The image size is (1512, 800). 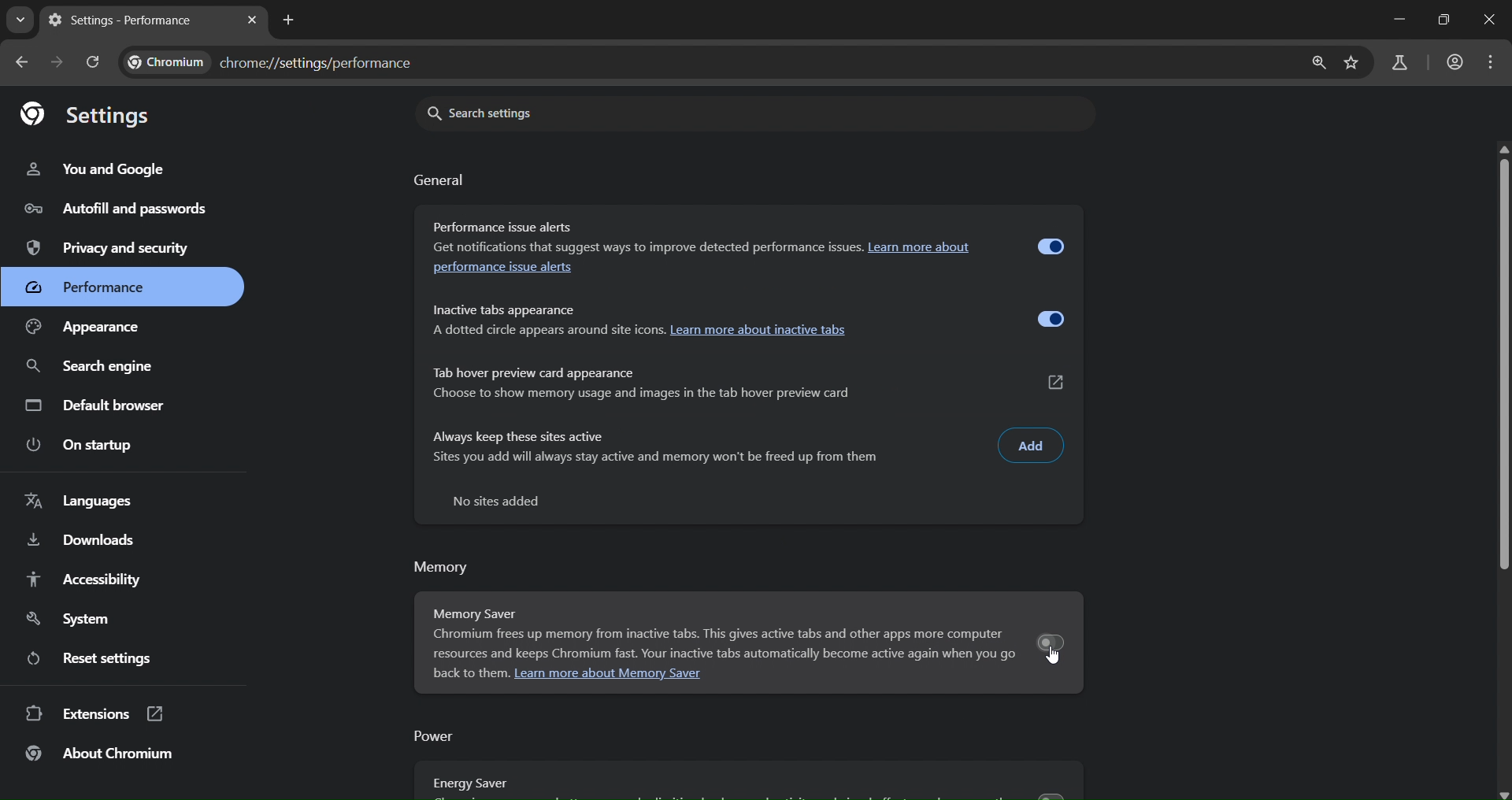 I want to click on back to them., so click(x=465, y=674).